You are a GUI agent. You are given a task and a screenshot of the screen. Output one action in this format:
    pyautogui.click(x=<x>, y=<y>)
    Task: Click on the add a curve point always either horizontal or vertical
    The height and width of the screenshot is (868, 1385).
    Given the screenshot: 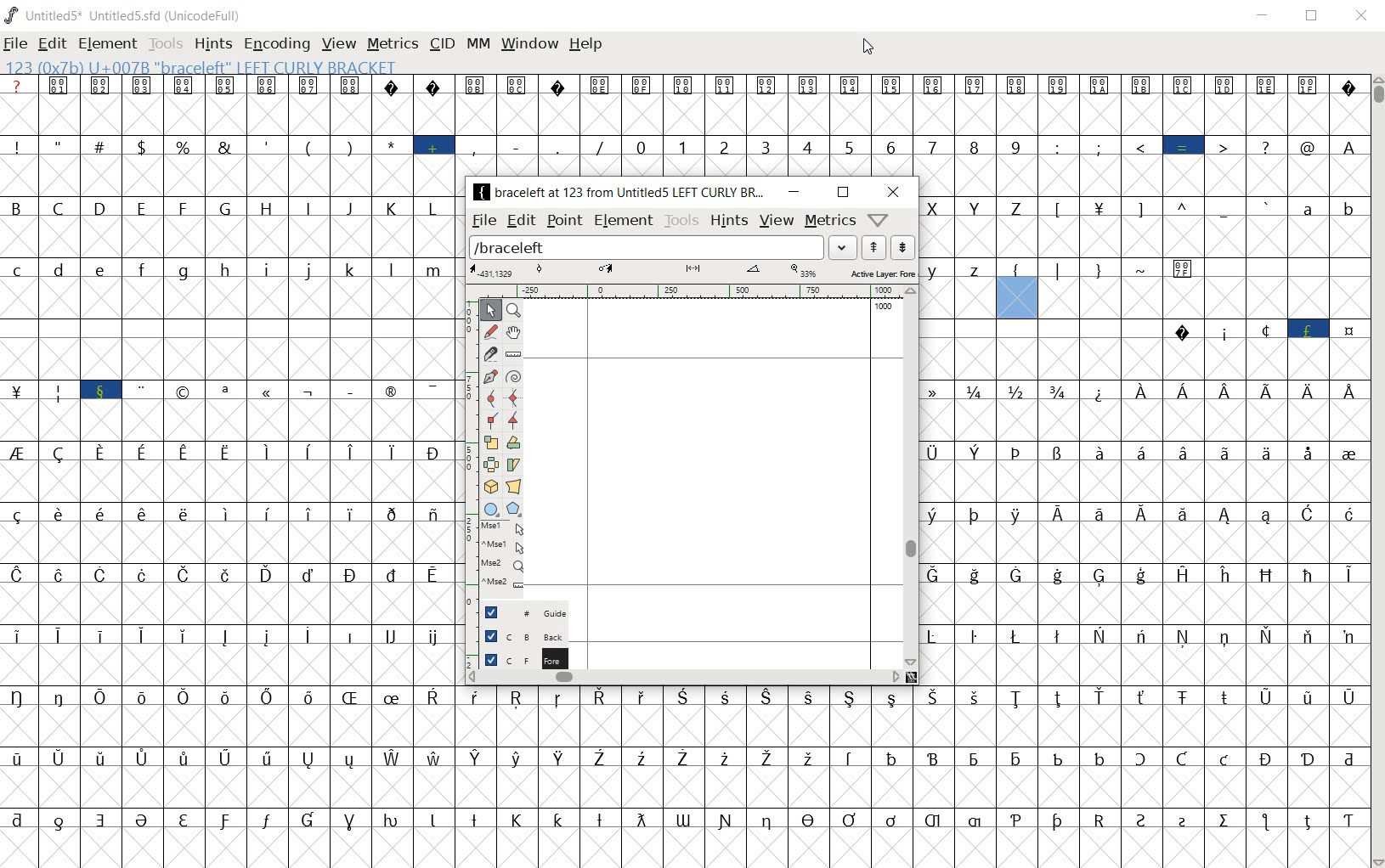 What is the action you would take?
    pyautogui.click(x=516, y=397)
    